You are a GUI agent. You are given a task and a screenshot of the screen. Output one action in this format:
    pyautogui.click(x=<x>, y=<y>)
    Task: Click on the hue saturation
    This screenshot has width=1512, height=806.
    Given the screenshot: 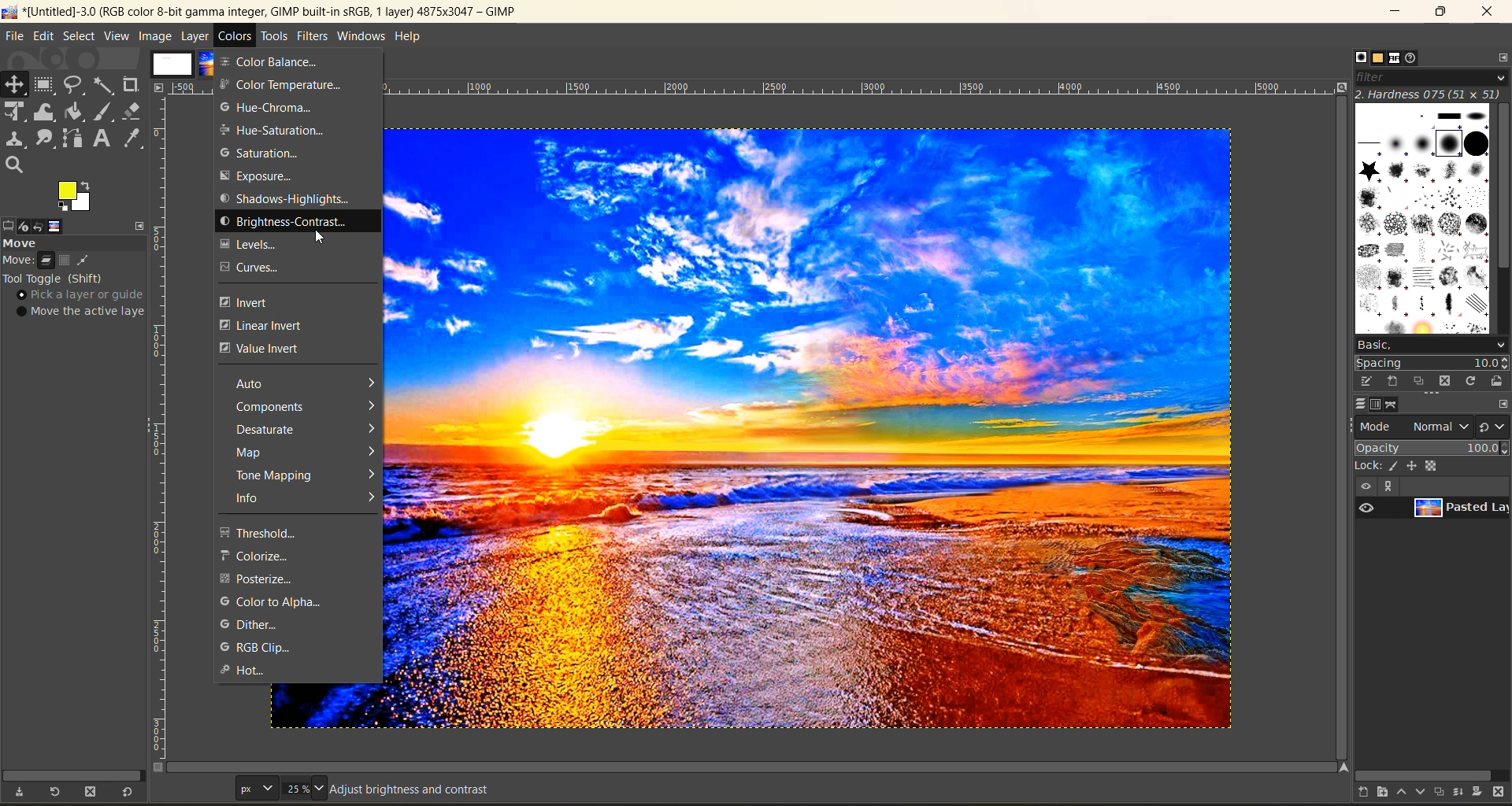 What is the action you would take?
    pyautogui.click(x=272, y=131)
    